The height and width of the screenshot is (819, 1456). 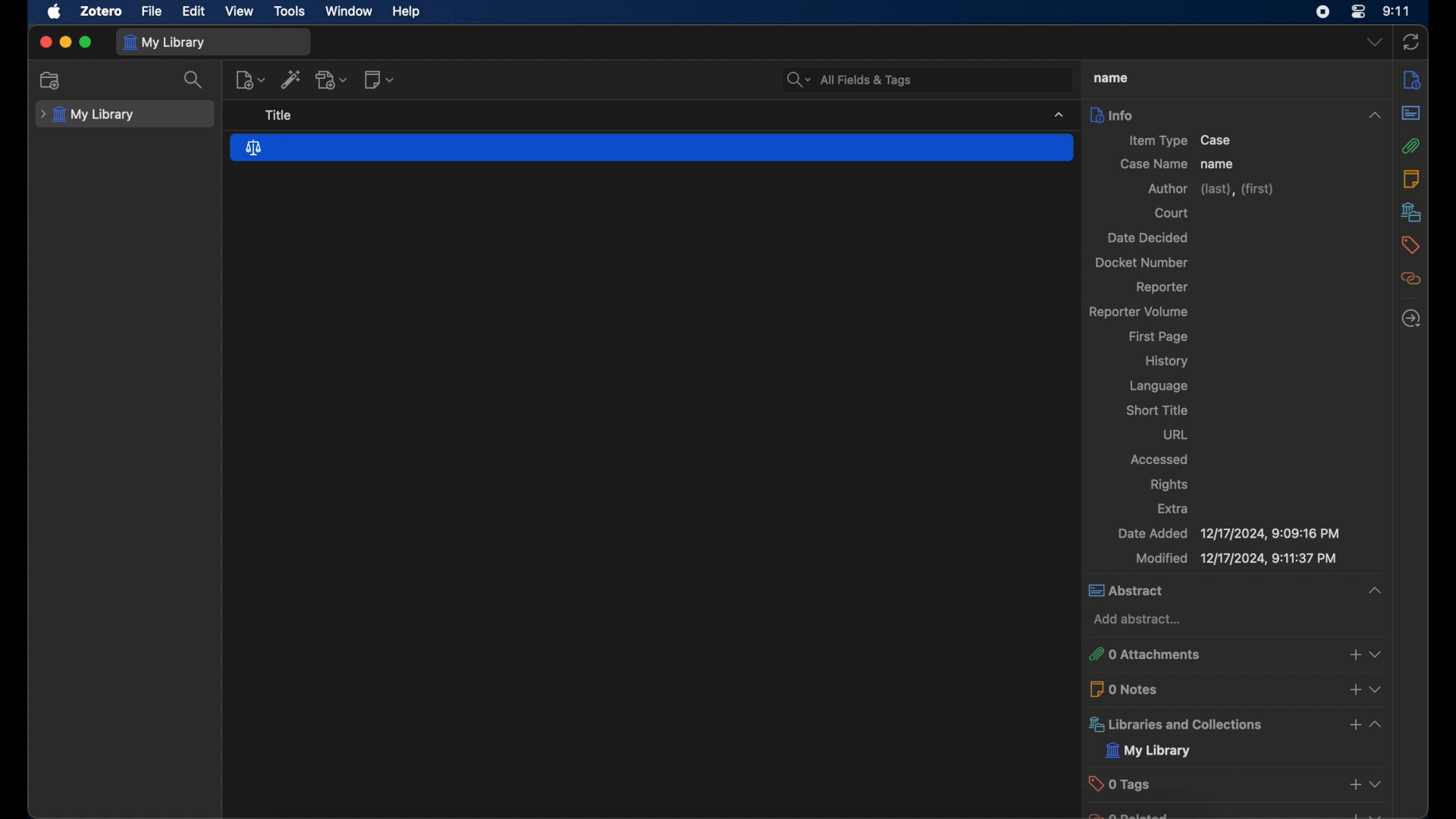 I want to click on libraries, so click(x=1237, y=724).